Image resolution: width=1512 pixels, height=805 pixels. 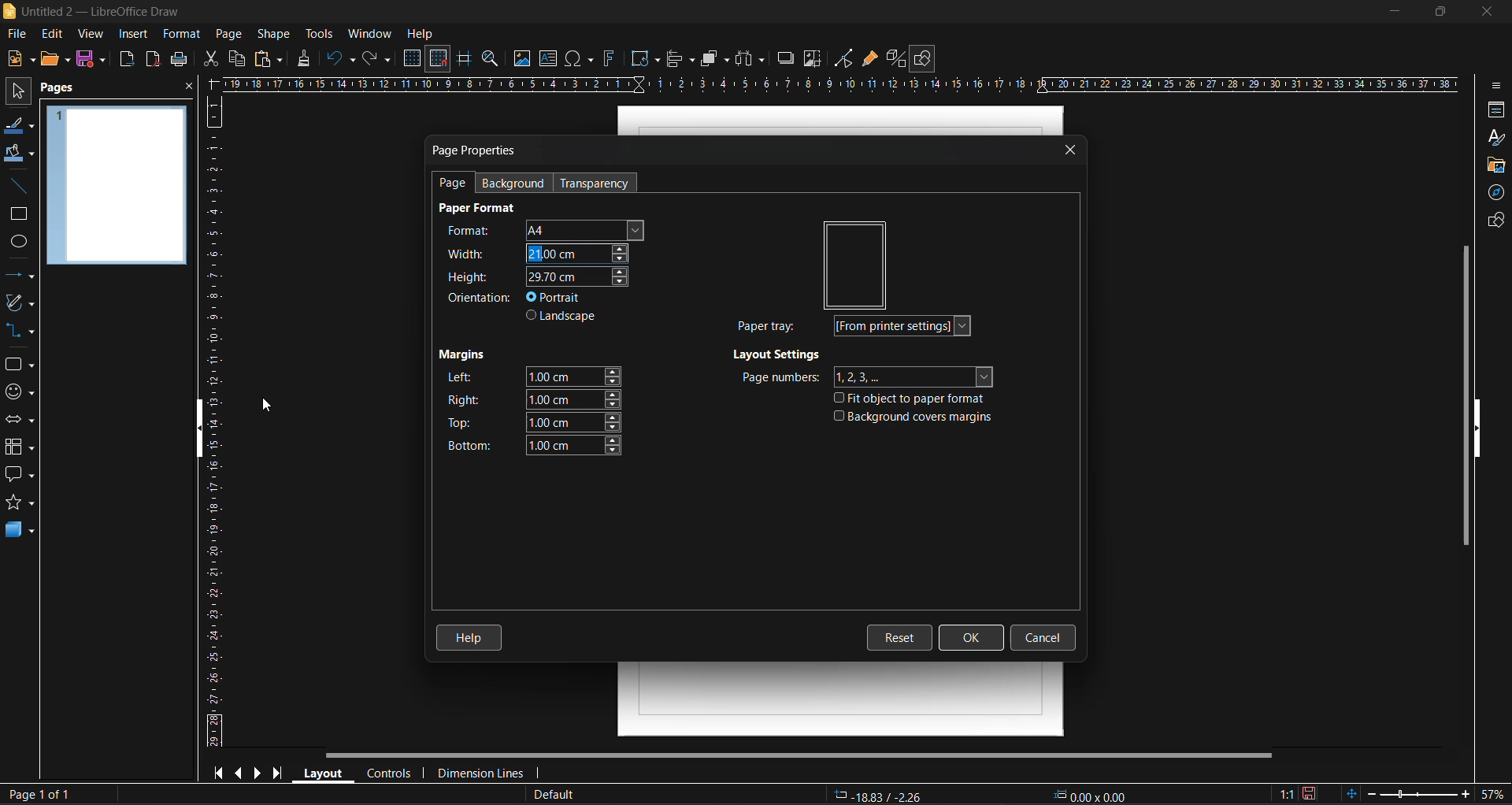 What do you see at coordinates (180, 33) in the screenshot?
I see `format` at bounding box center [180, 33].